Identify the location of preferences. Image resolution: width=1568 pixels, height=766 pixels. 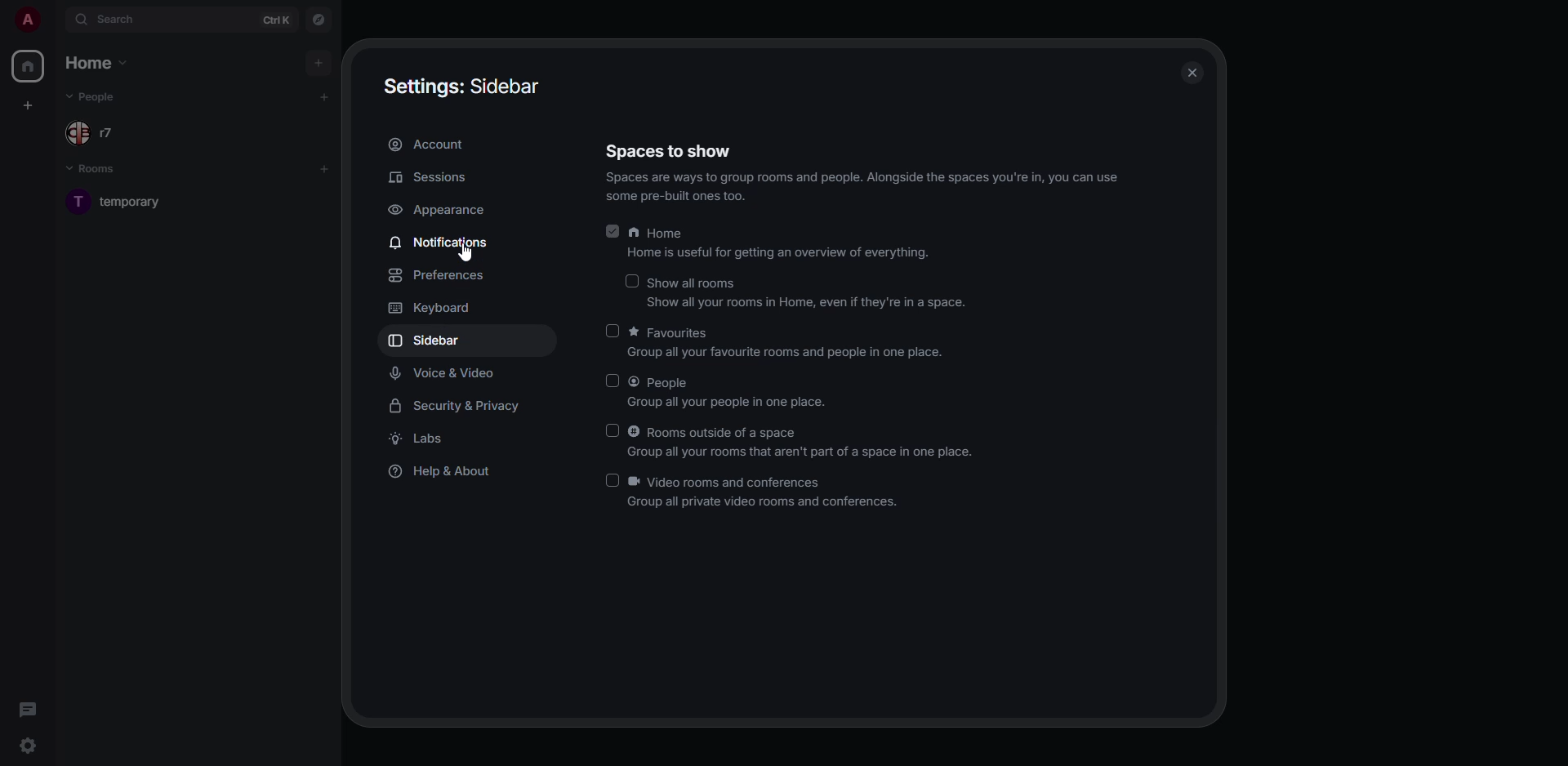
(439, 276).